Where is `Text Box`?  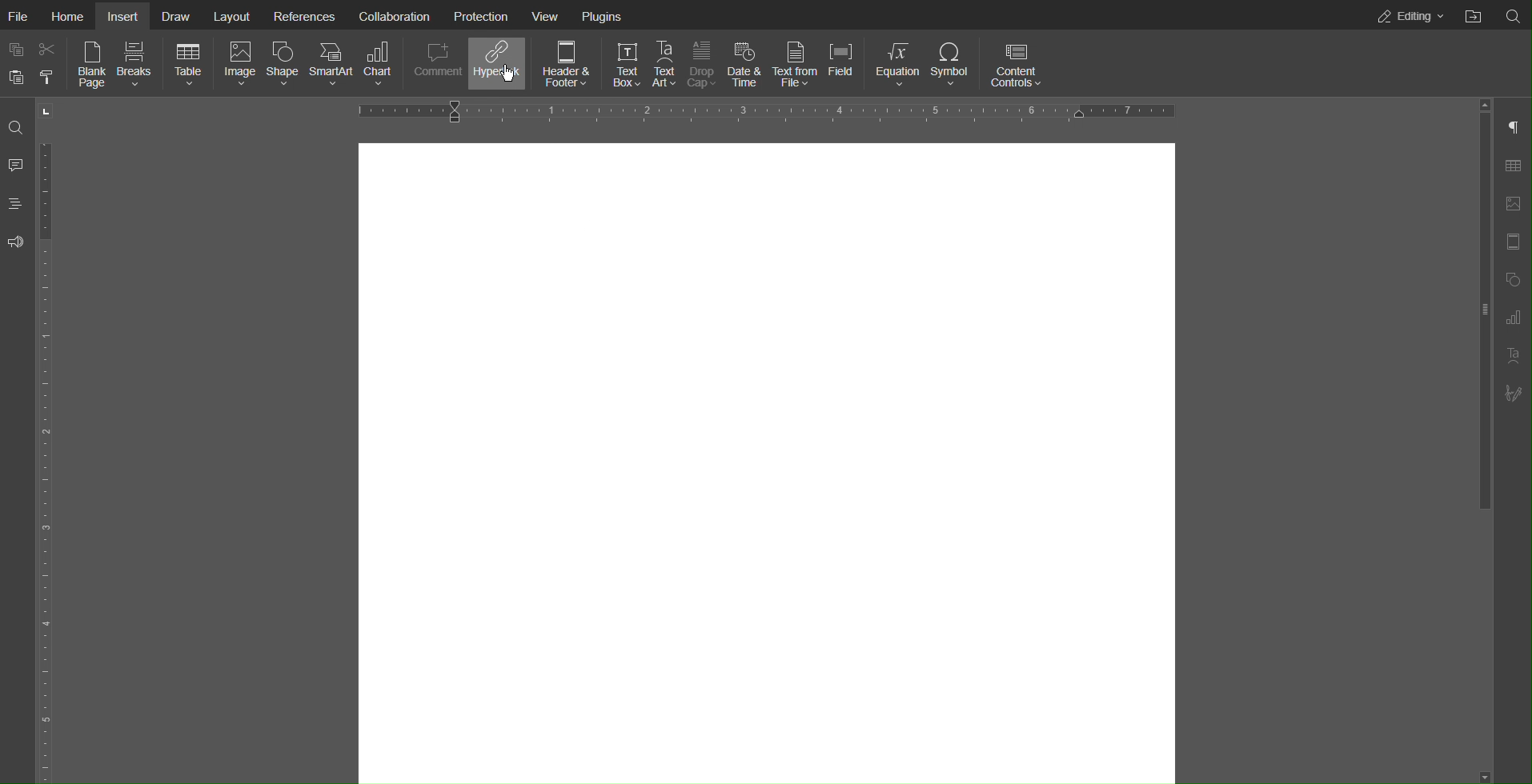
Text Box is located at coordinates (628, 65).